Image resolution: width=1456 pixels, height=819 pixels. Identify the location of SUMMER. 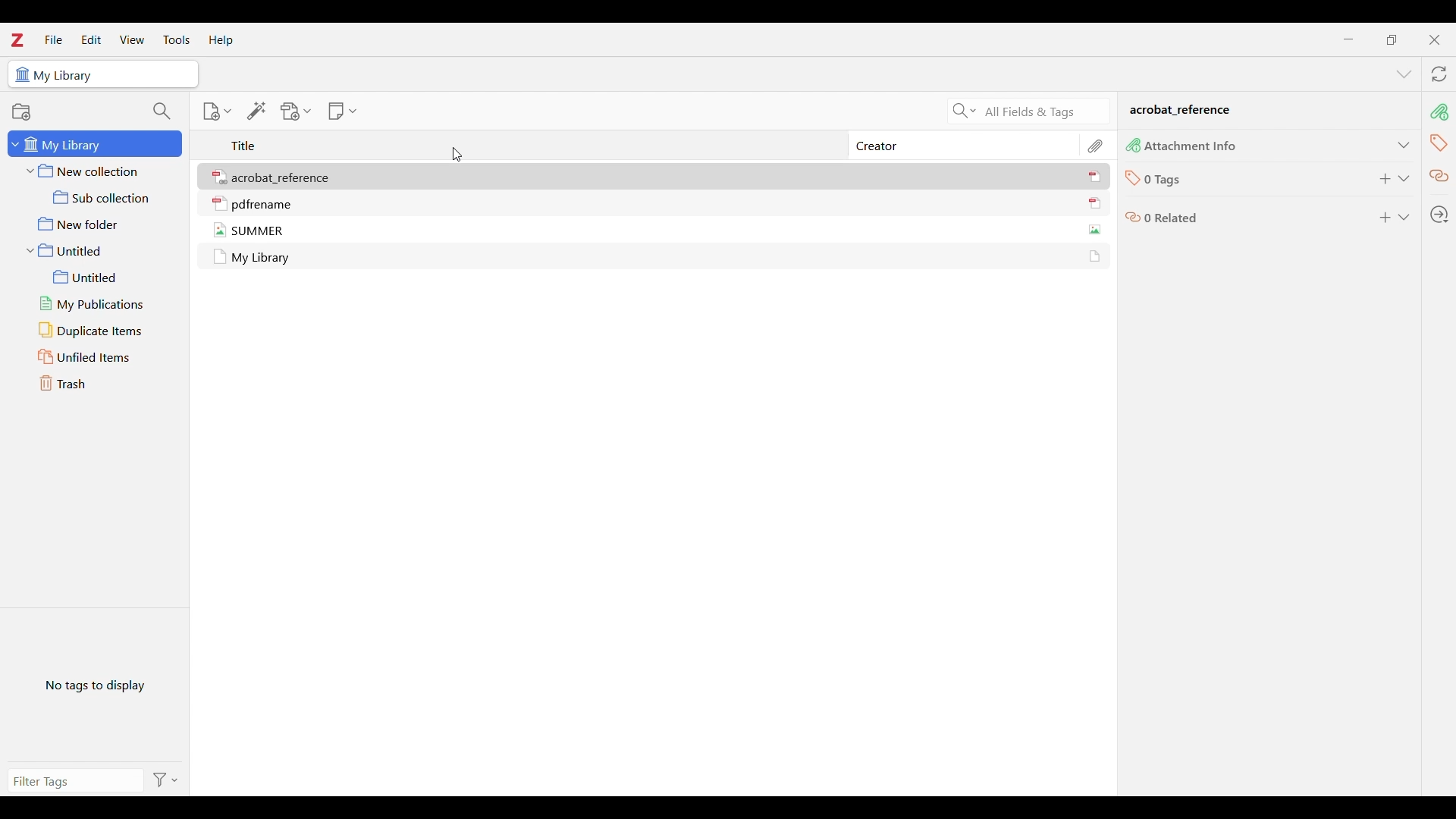
(259, 231).